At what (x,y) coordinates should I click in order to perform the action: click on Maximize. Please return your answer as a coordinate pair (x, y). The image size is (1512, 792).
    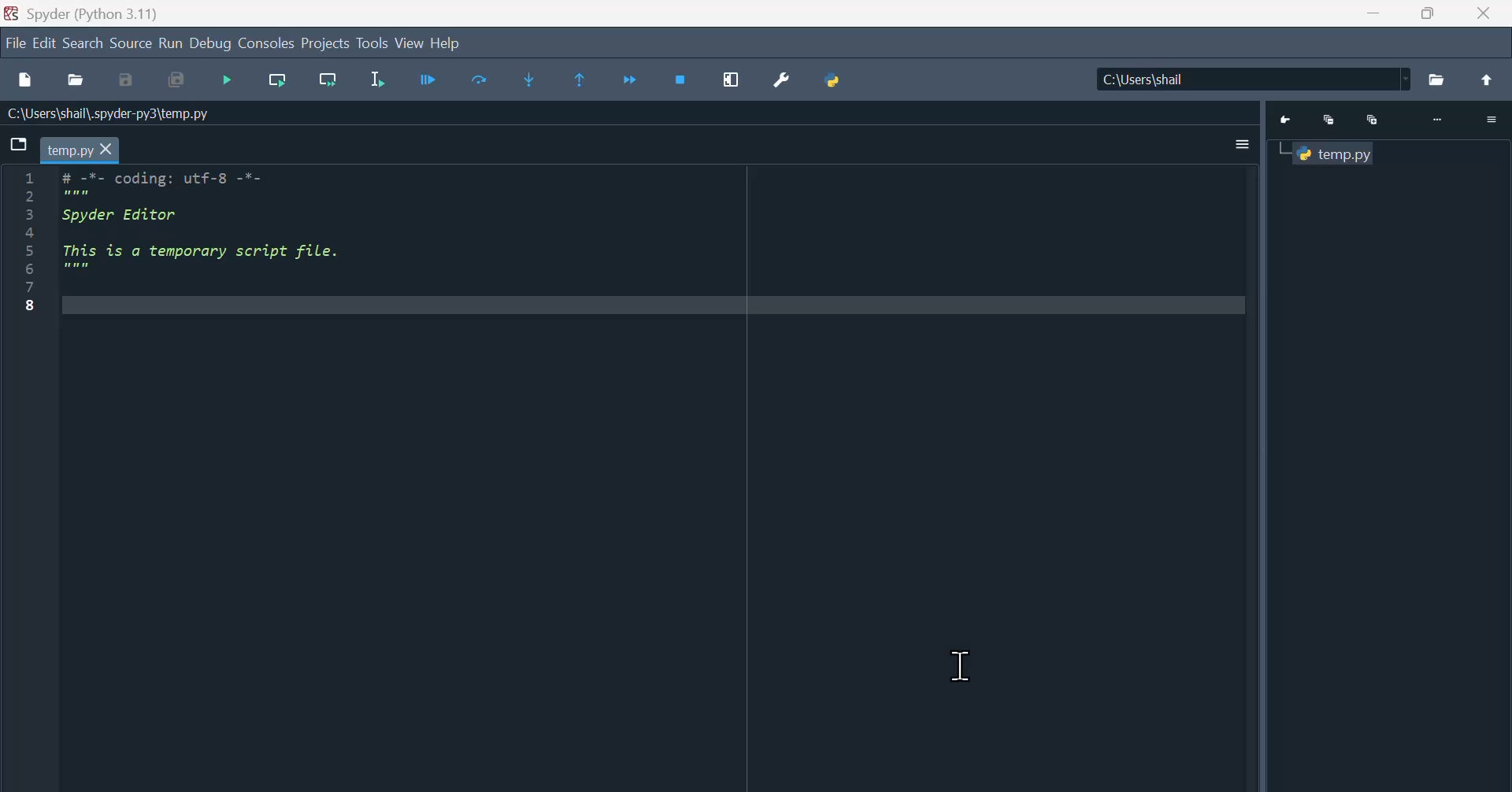
    Looking at the image, I should click on (1373, 120).